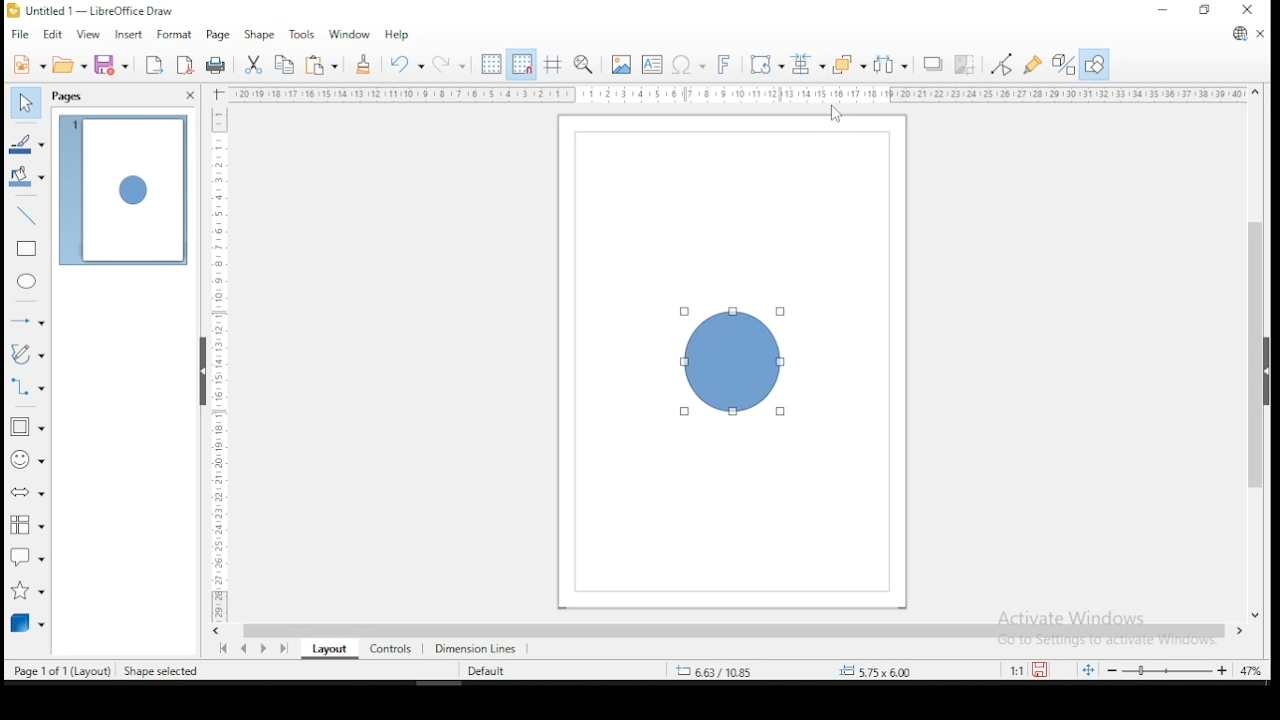 The width and height of the screenshot is (1280, 720). Describe the element at coordinates (28, 64) in the screenshot. I see `new` at that location.